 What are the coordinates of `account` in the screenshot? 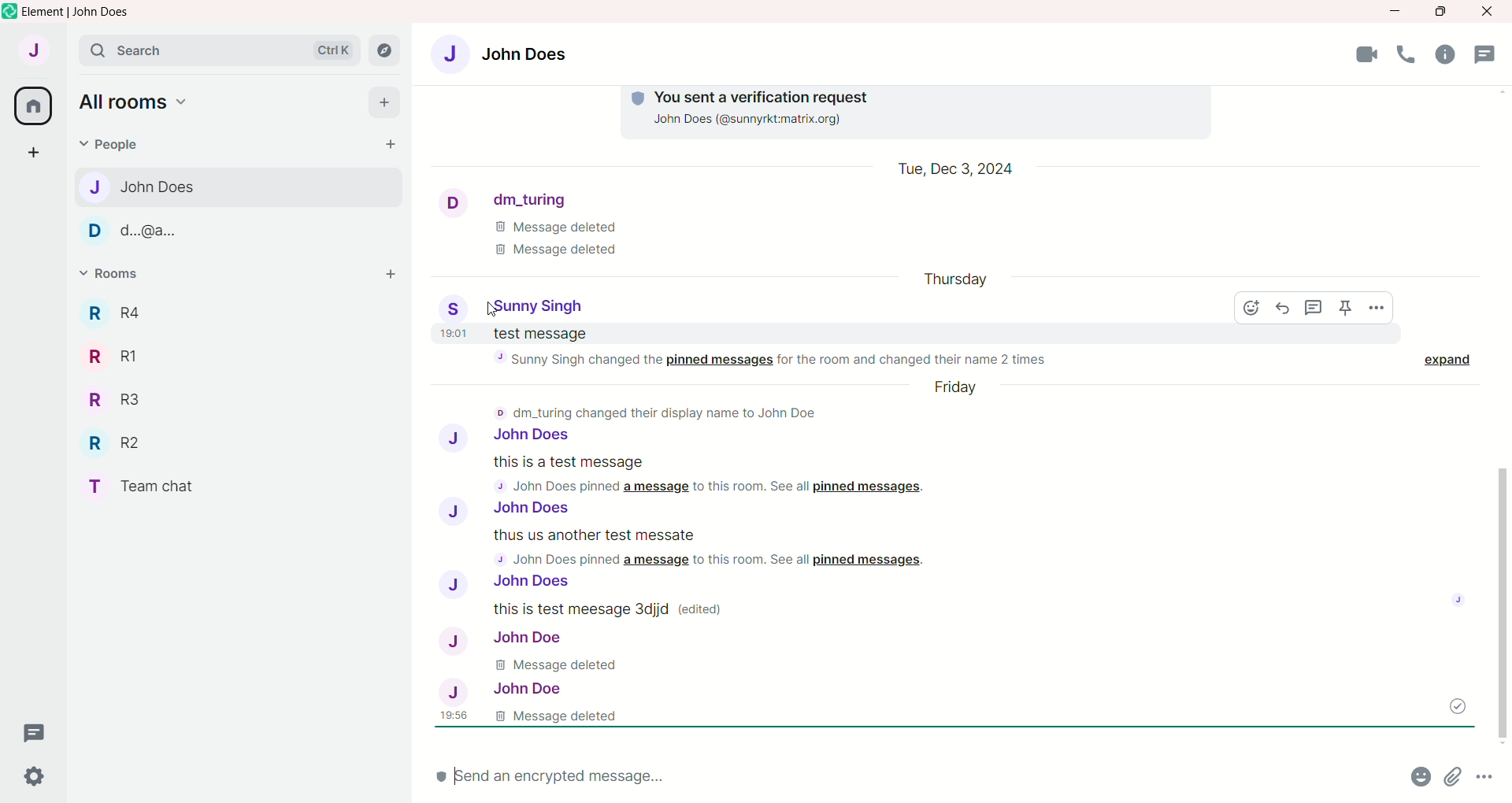 It's located at (34, 53).